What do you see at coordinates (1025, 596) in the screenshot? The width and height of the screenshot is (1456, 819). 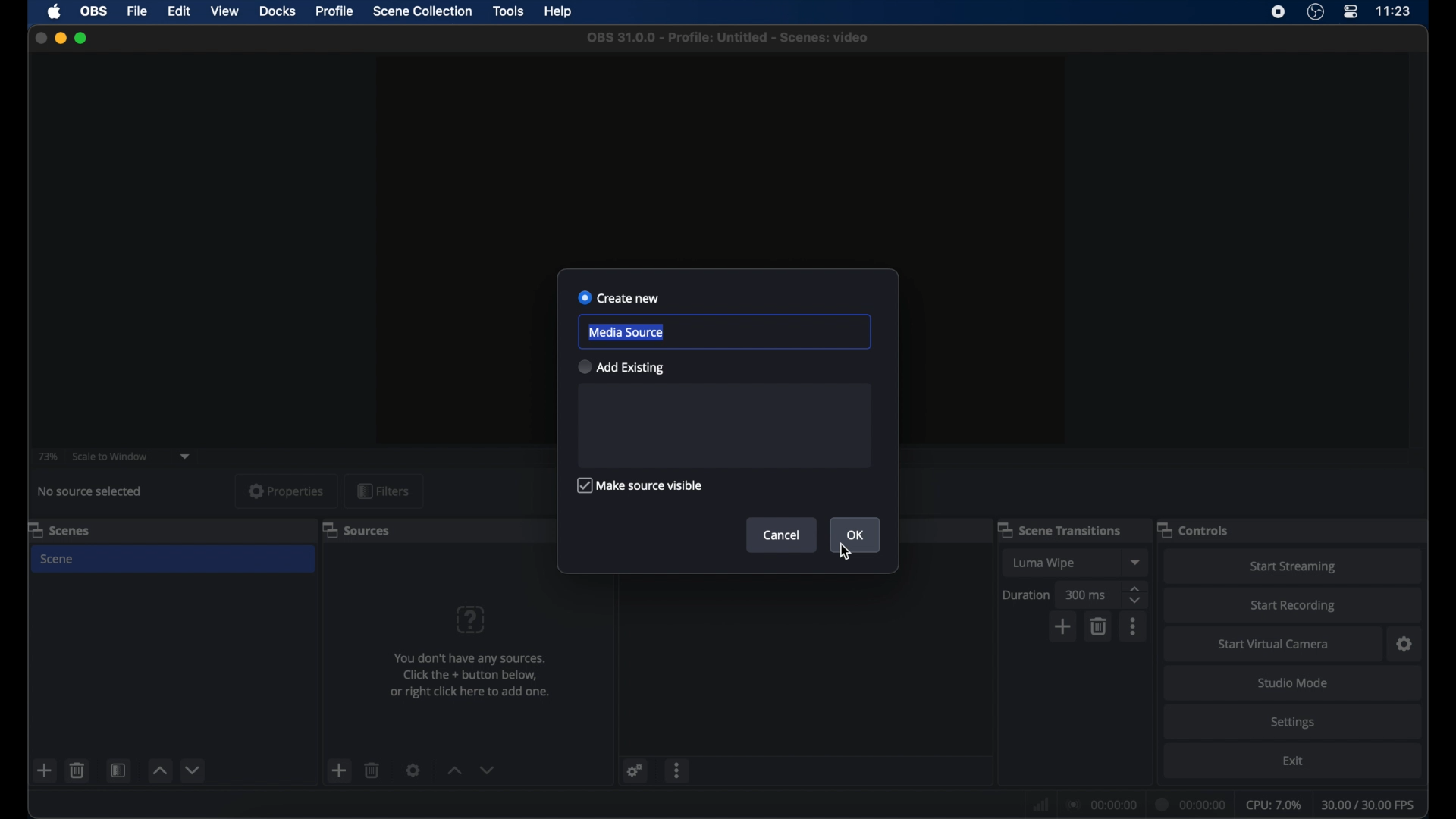 I see `duration` at bounding box center [1025, 596].